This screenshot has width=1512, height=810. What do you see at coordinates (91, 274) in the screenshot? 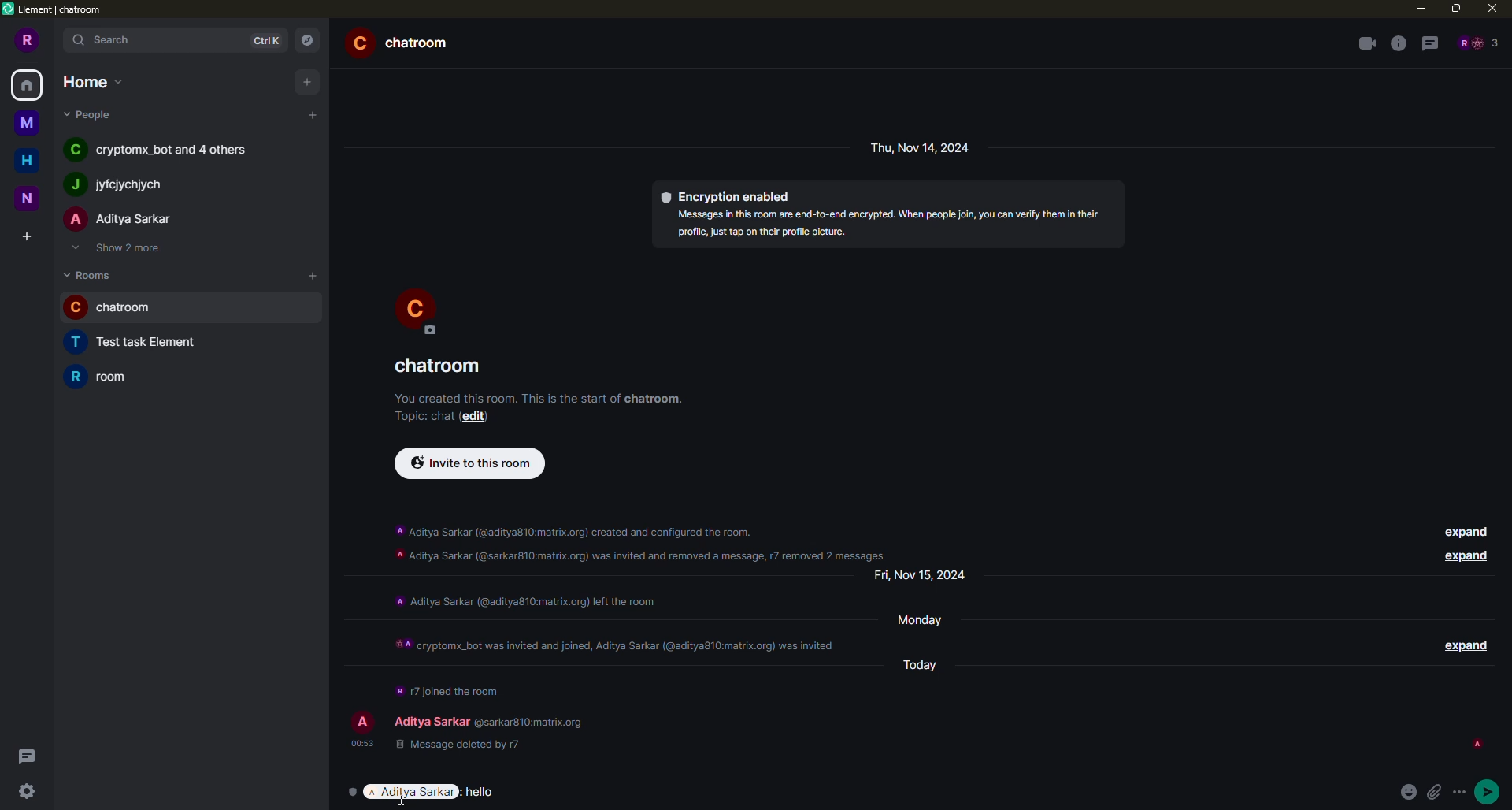
I see `rooms` at bounding box center [91, 274].